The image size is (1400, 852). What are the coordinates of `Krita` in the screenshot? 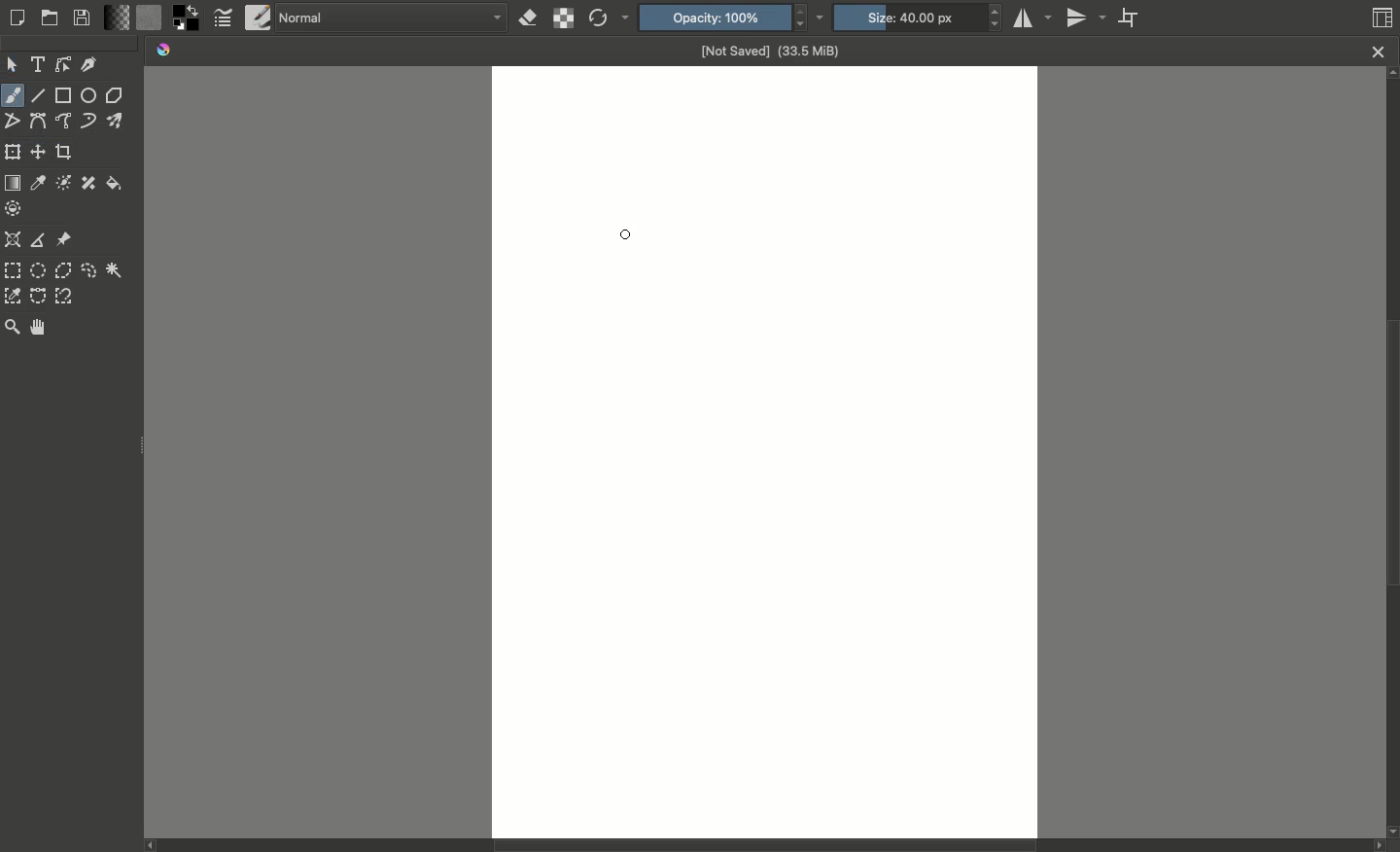 It's located at (165, 51).